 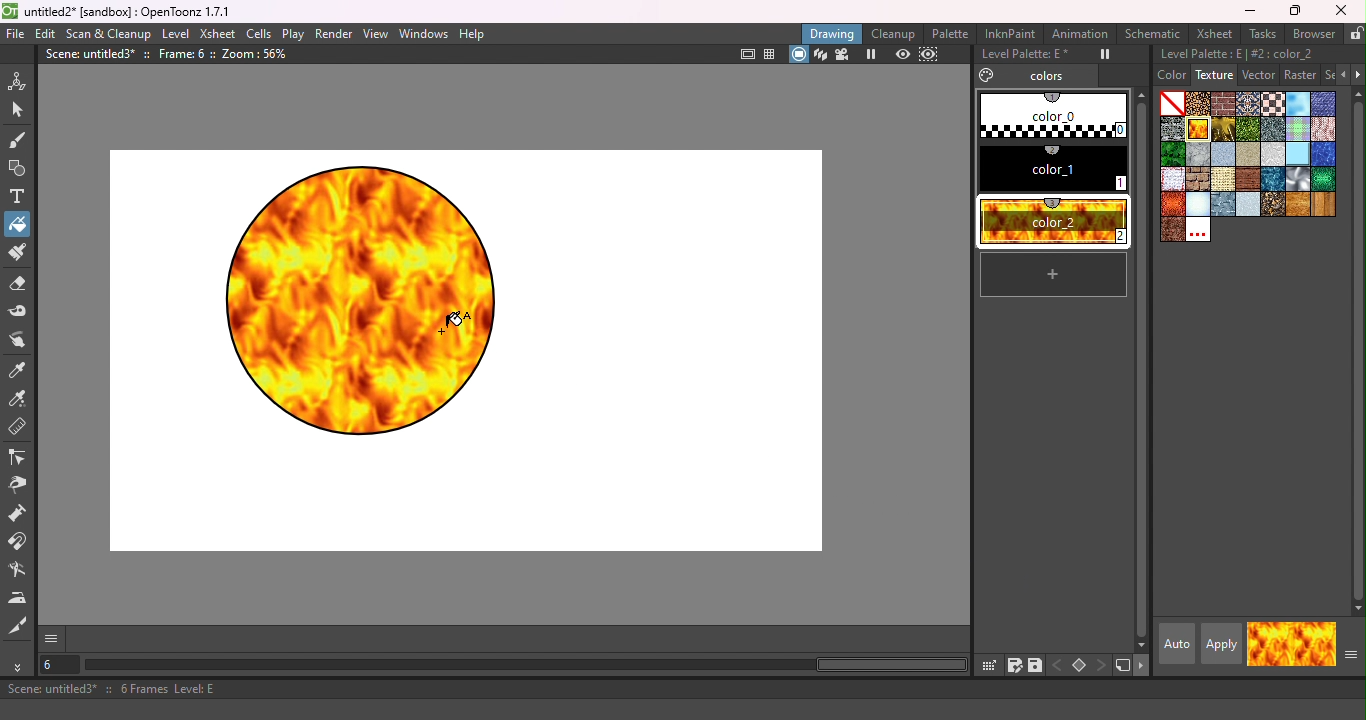 What do you see at coordinates (1314, 644) in the screenshot?
I see `return to previous style` at bounding box center [1314, 644].